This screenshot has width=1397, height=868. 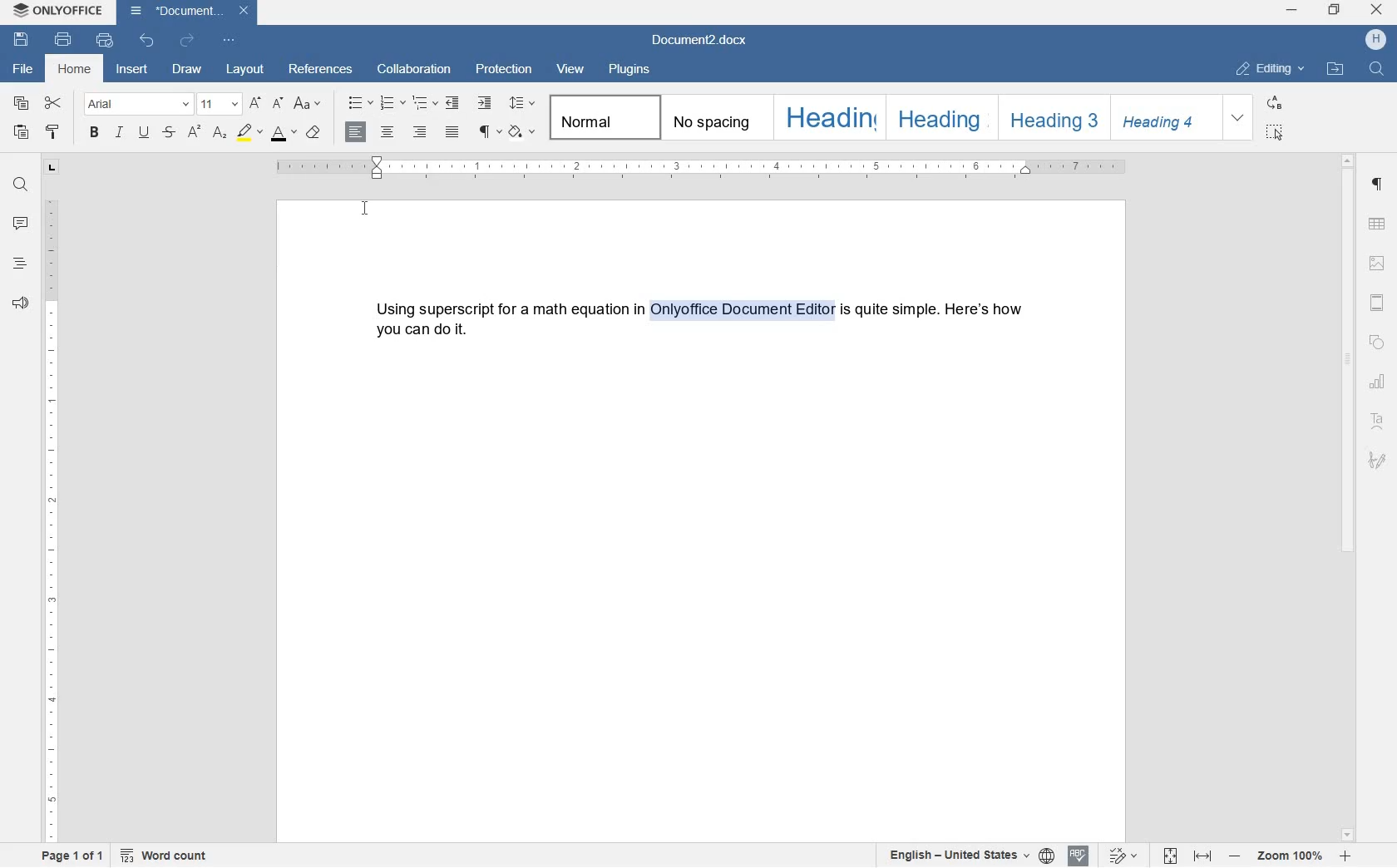 What do you see at coordinates (309, 104) in the screenshot?
I see `change case` at bounding box center [309, 104].